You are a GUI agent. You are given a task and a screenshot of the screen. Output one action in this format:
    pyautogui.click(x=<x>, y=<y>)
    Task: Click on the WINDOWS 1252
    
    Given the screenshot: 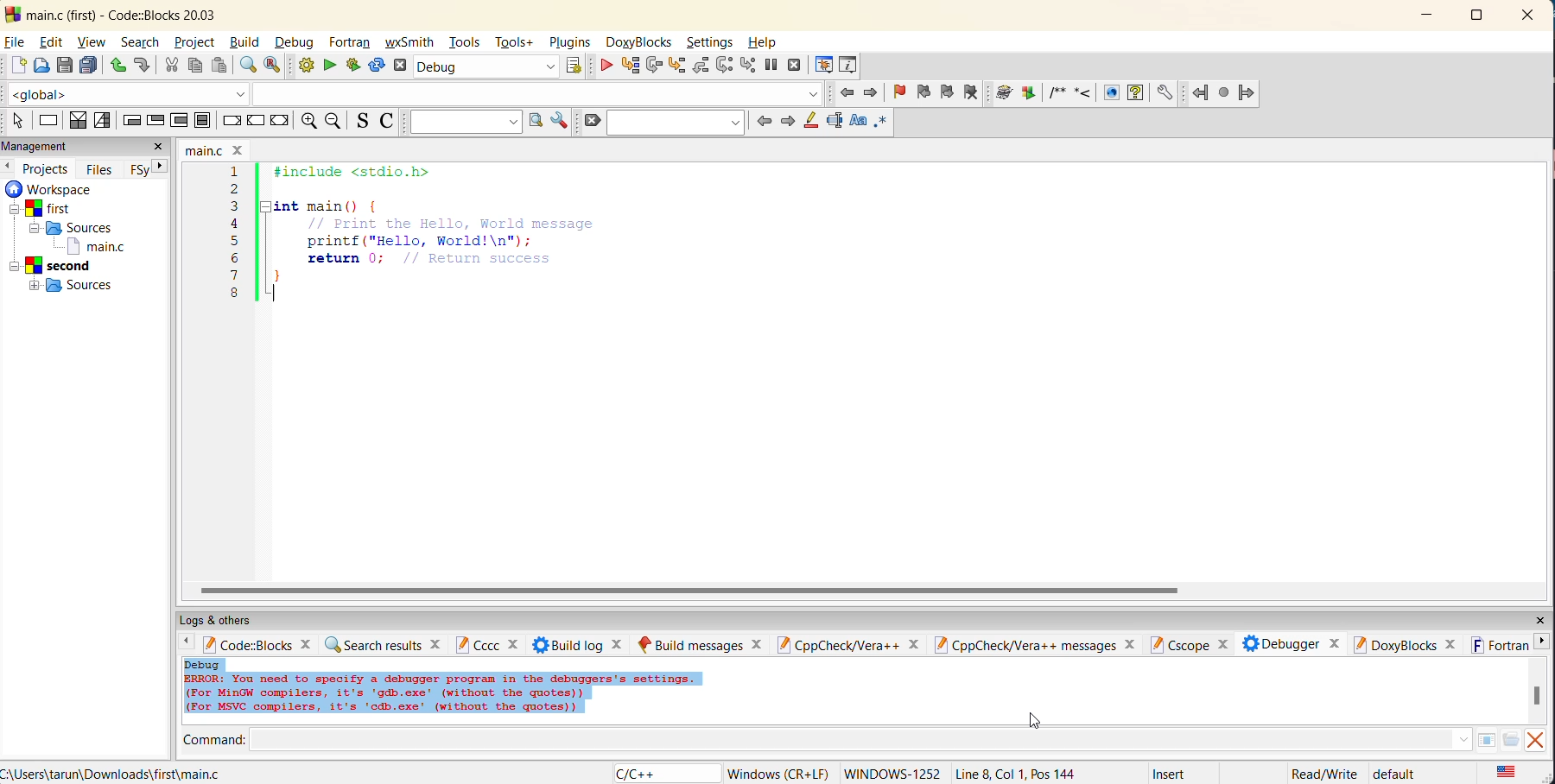 What is the action you would take?
    pyautogui.click(x=890, y=774)
    